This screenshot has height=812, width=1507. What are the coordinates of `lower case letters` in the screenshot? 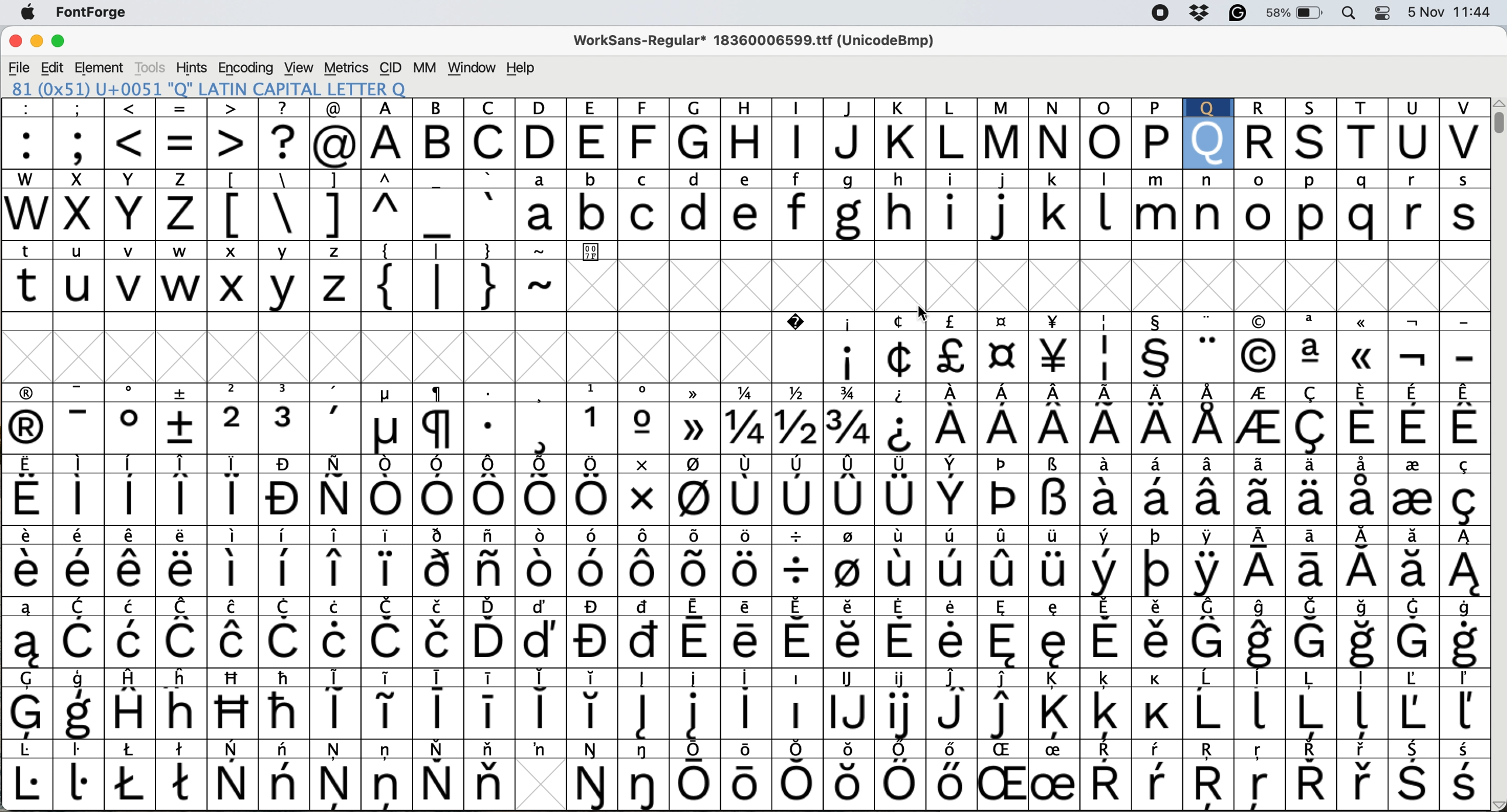 It's located at (998, 215).